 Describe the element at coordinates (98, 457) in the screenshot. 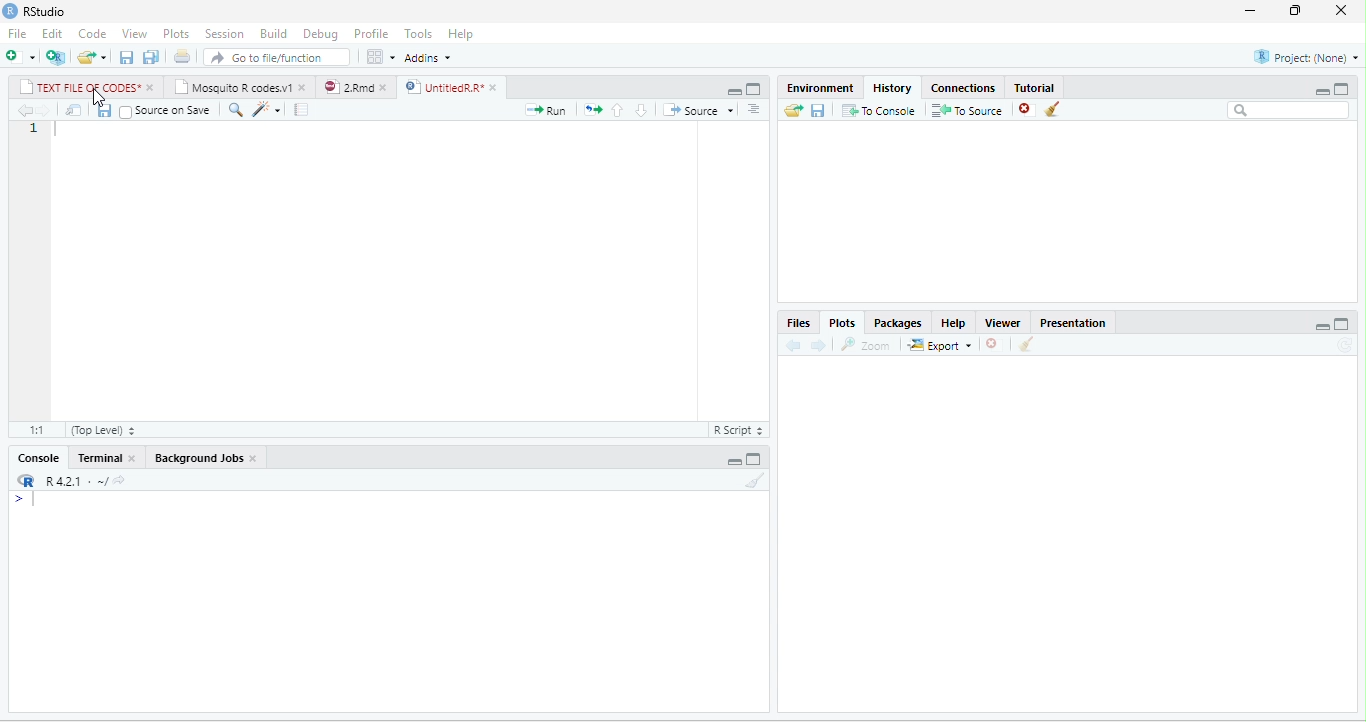

I see `Terminal` at that location.